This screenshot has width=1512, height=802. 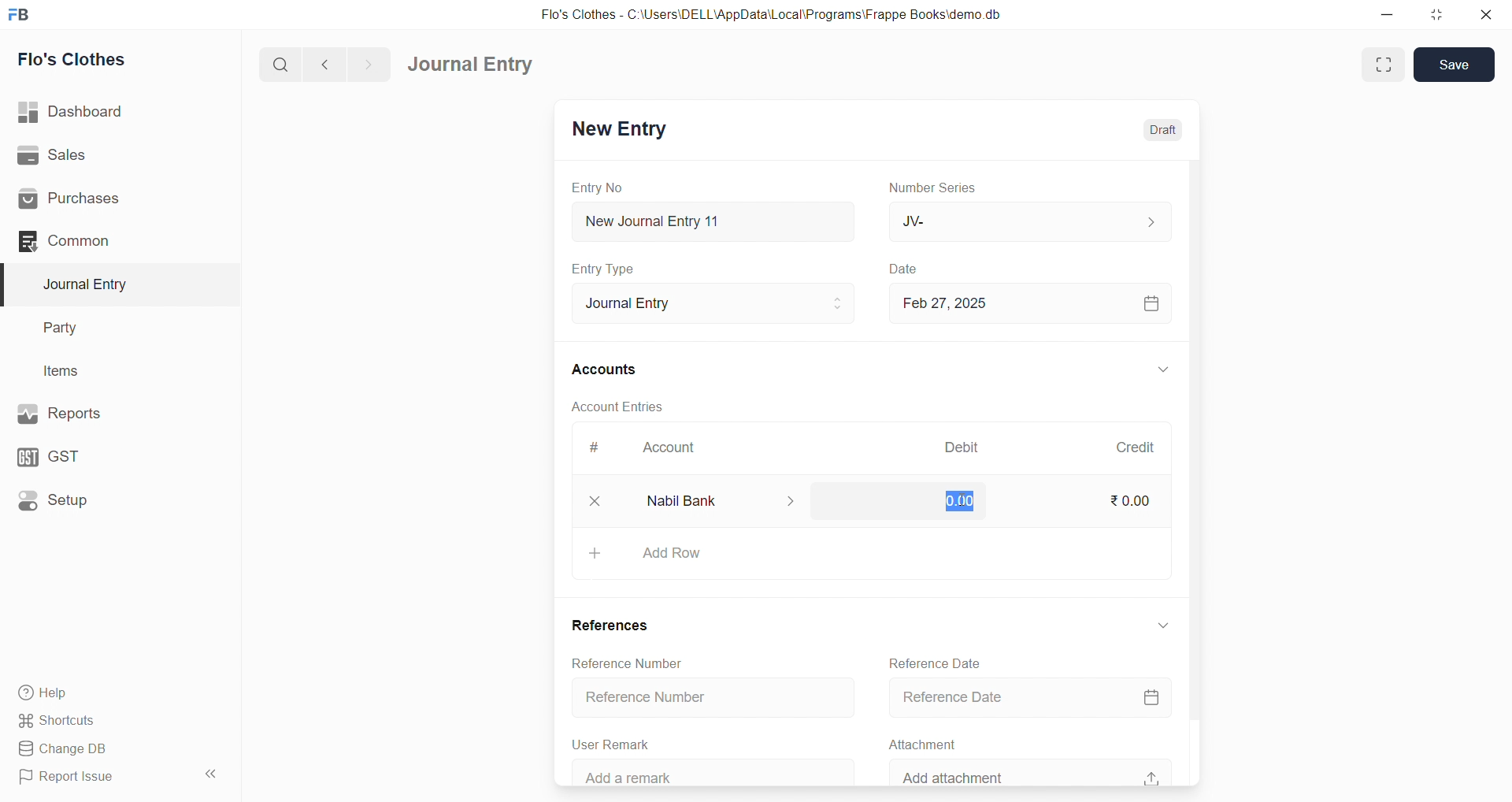 I want to click on New Entry, so click(x=622, y=130).